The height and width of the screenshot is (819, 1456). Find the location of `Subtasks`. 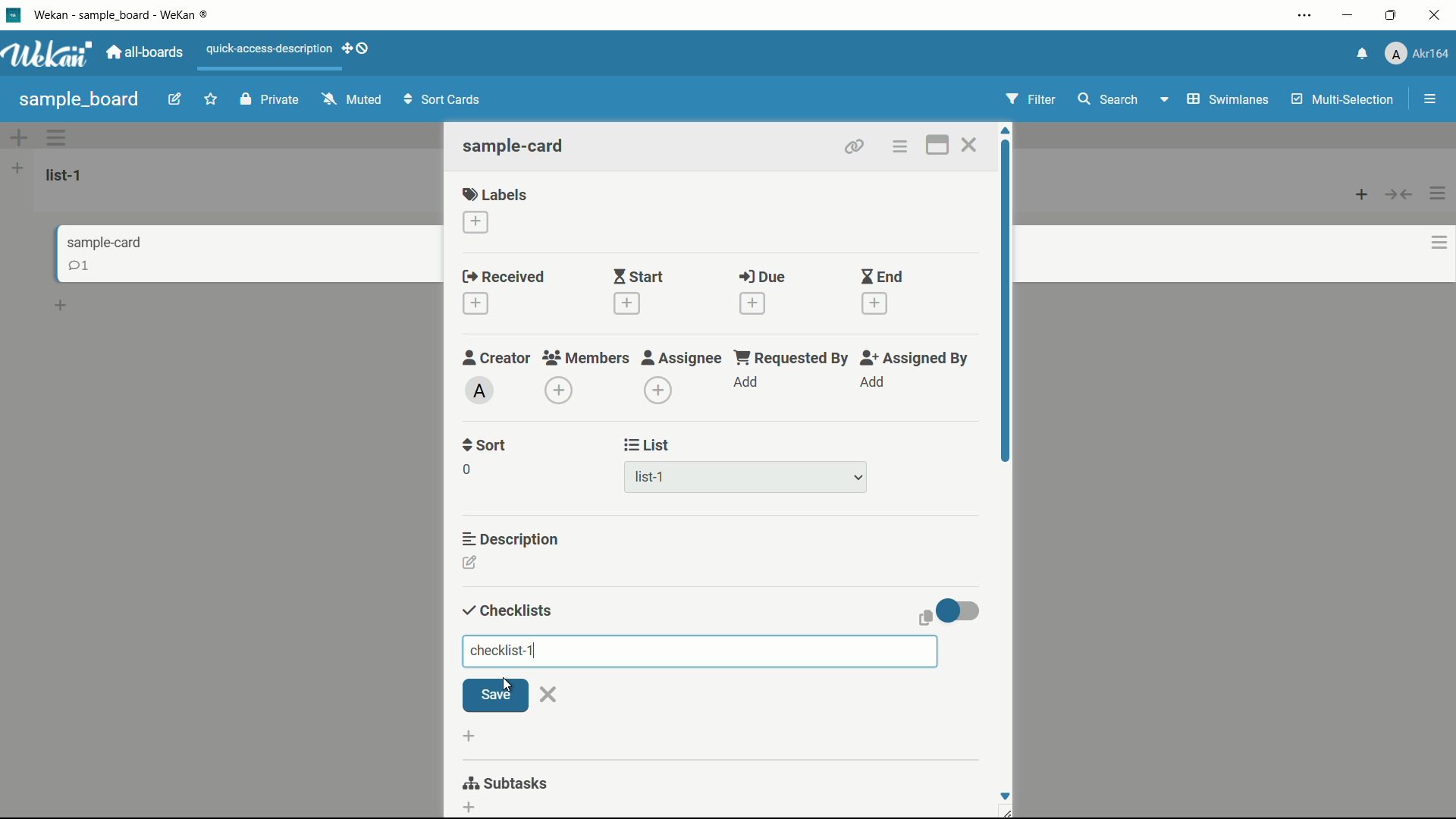

Subtasks is located at coordinates (515, 781).